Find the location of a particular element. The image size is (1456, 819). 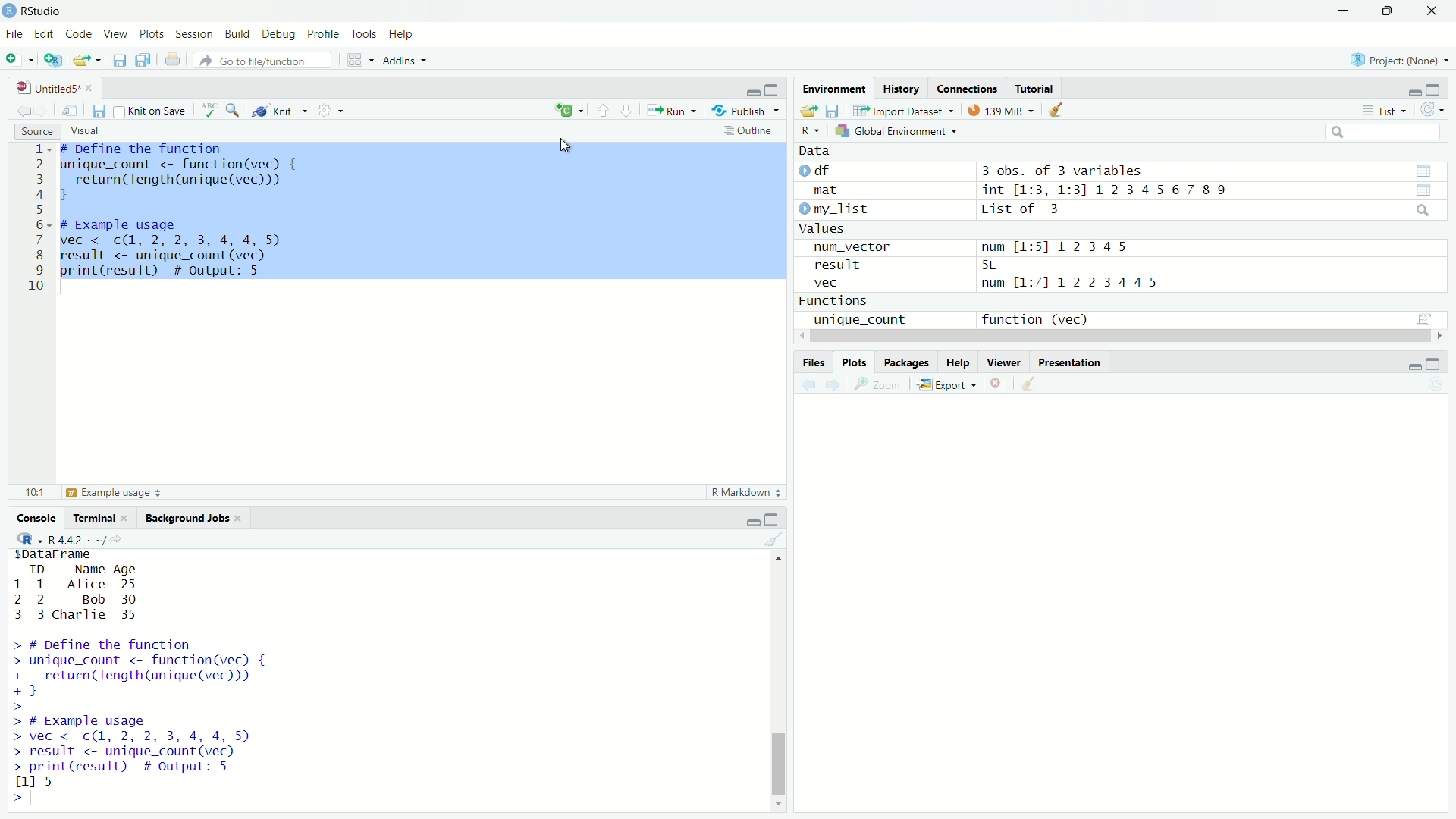

Project(None) is located at coordinates (1399, 60).